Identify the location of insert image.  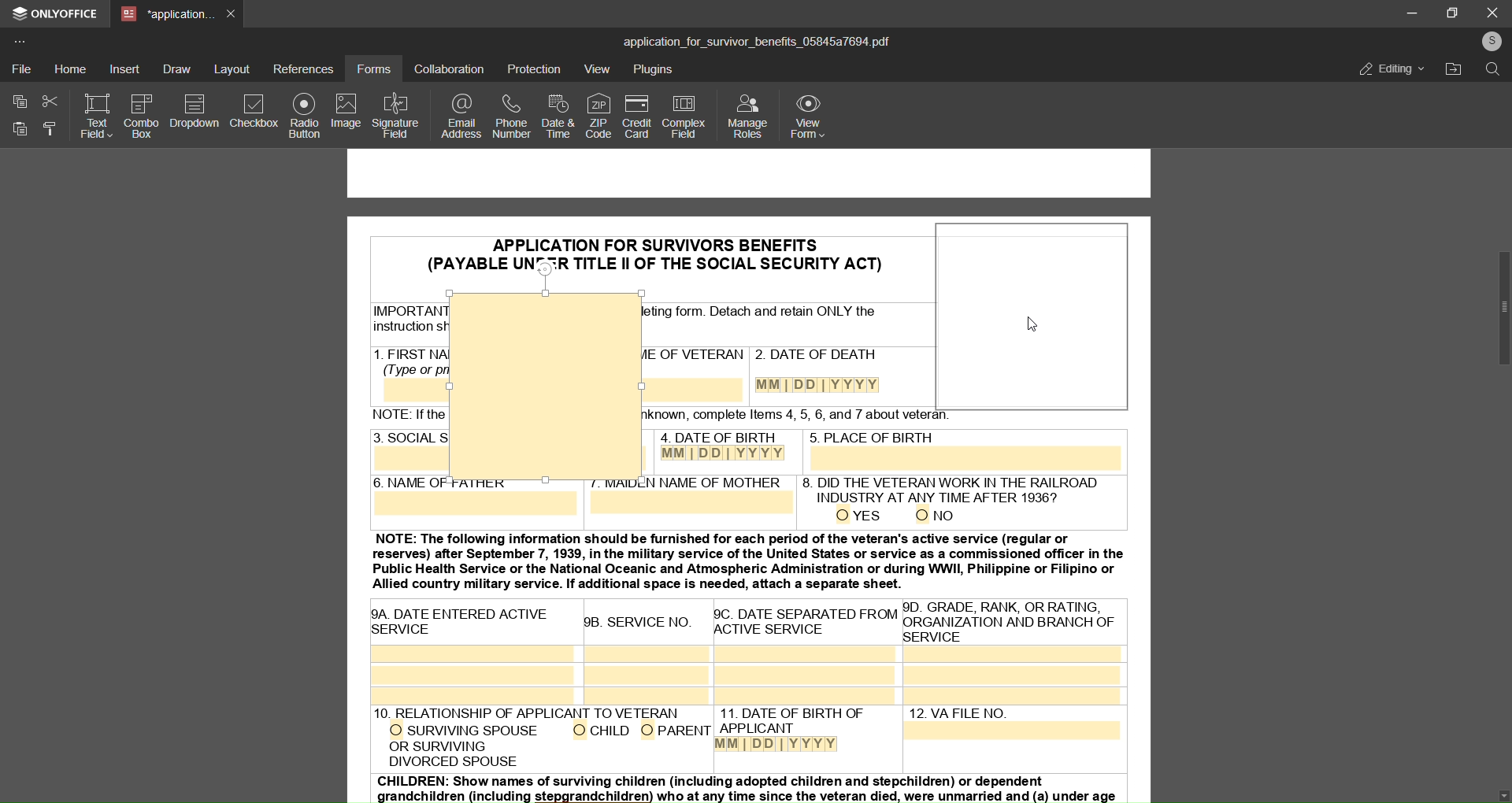
(399, 141).